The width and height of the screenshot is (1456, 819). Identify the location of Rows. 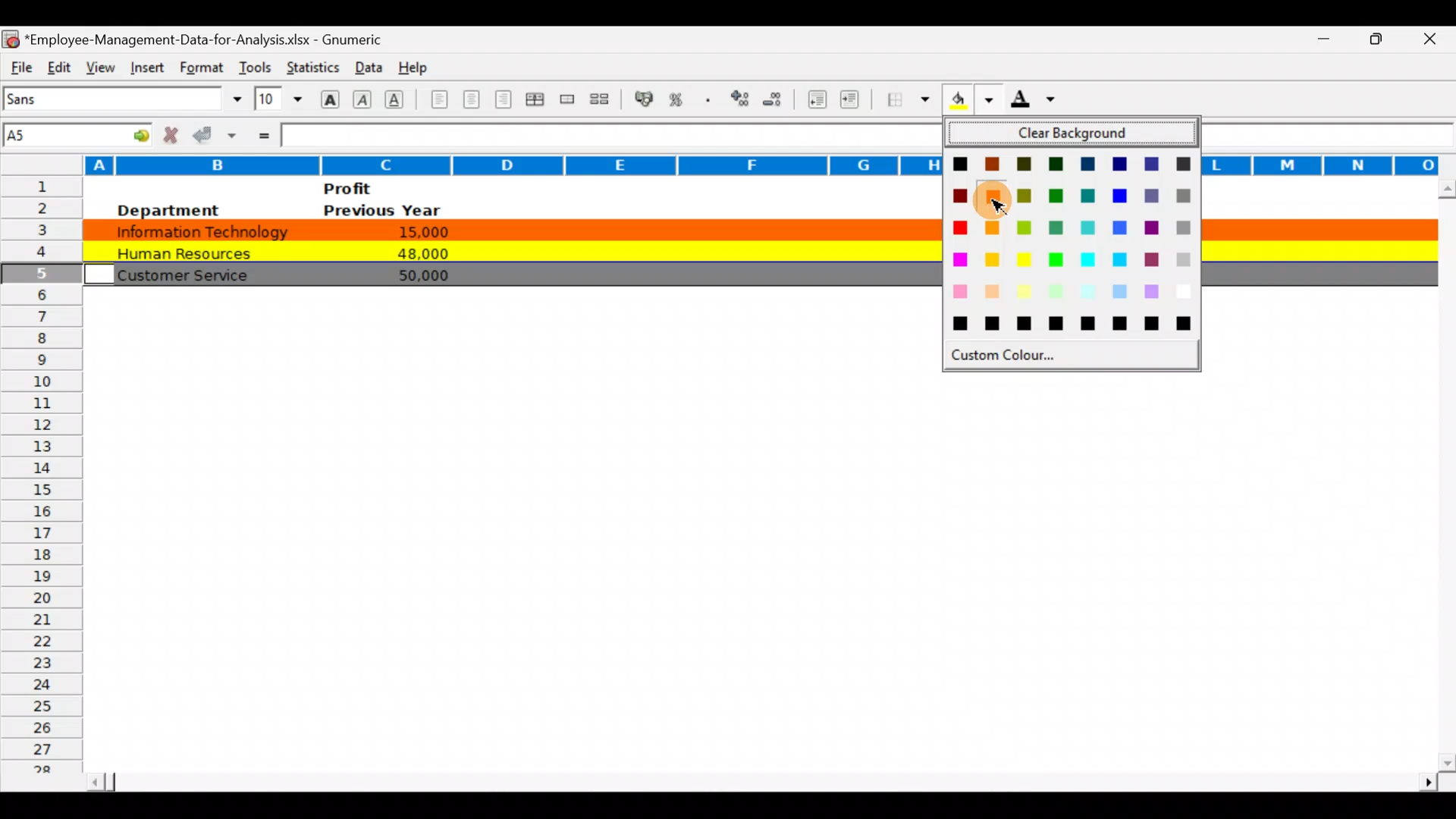
(41, 484).